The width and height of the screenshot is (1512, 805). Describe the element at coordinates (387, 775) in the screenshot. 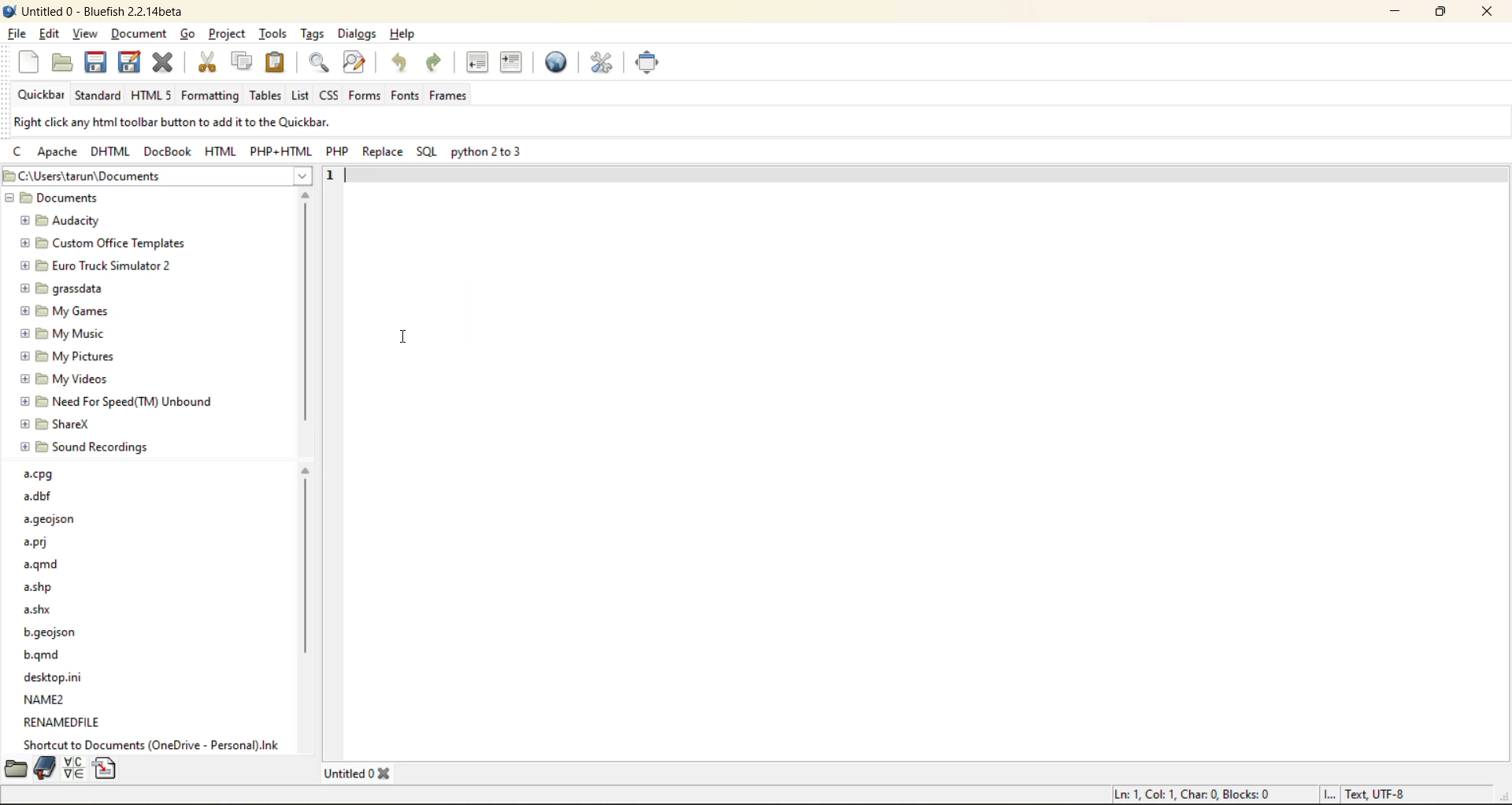

I see `Close` at that location.